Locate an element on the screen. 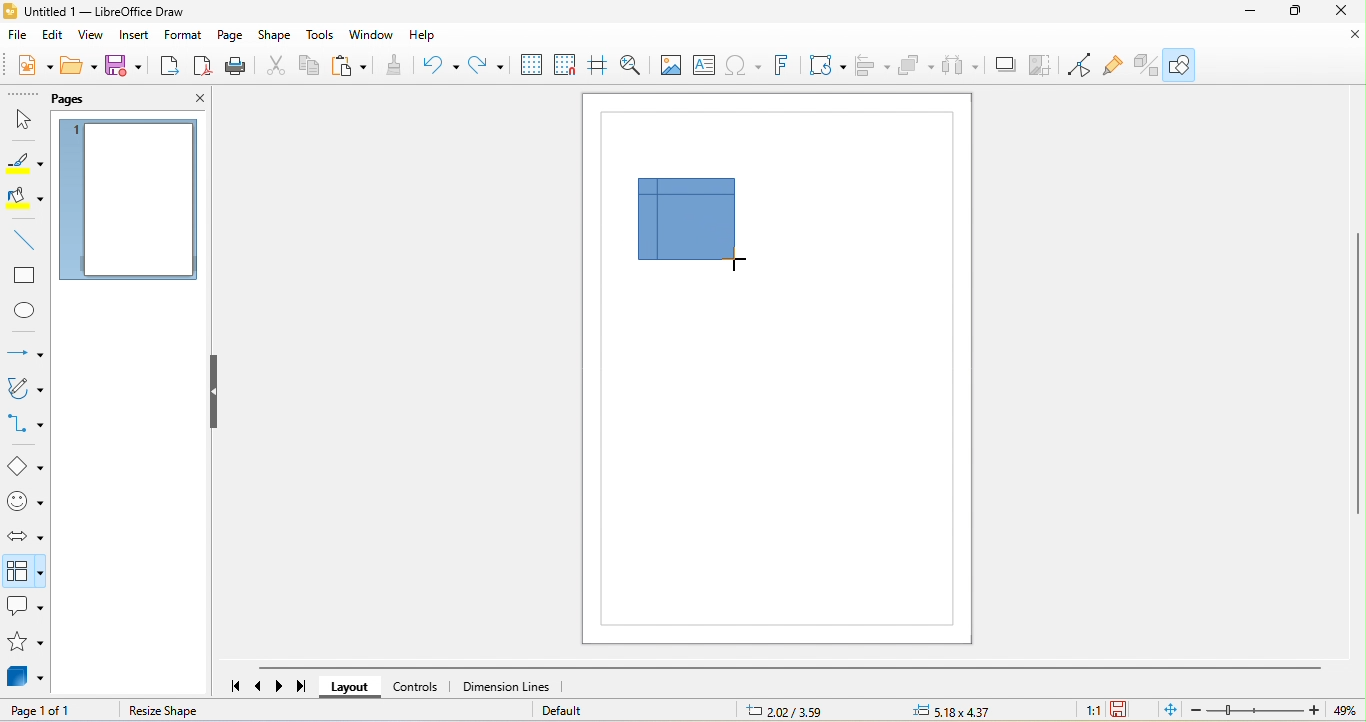  export is located at coordinates (169, 66).